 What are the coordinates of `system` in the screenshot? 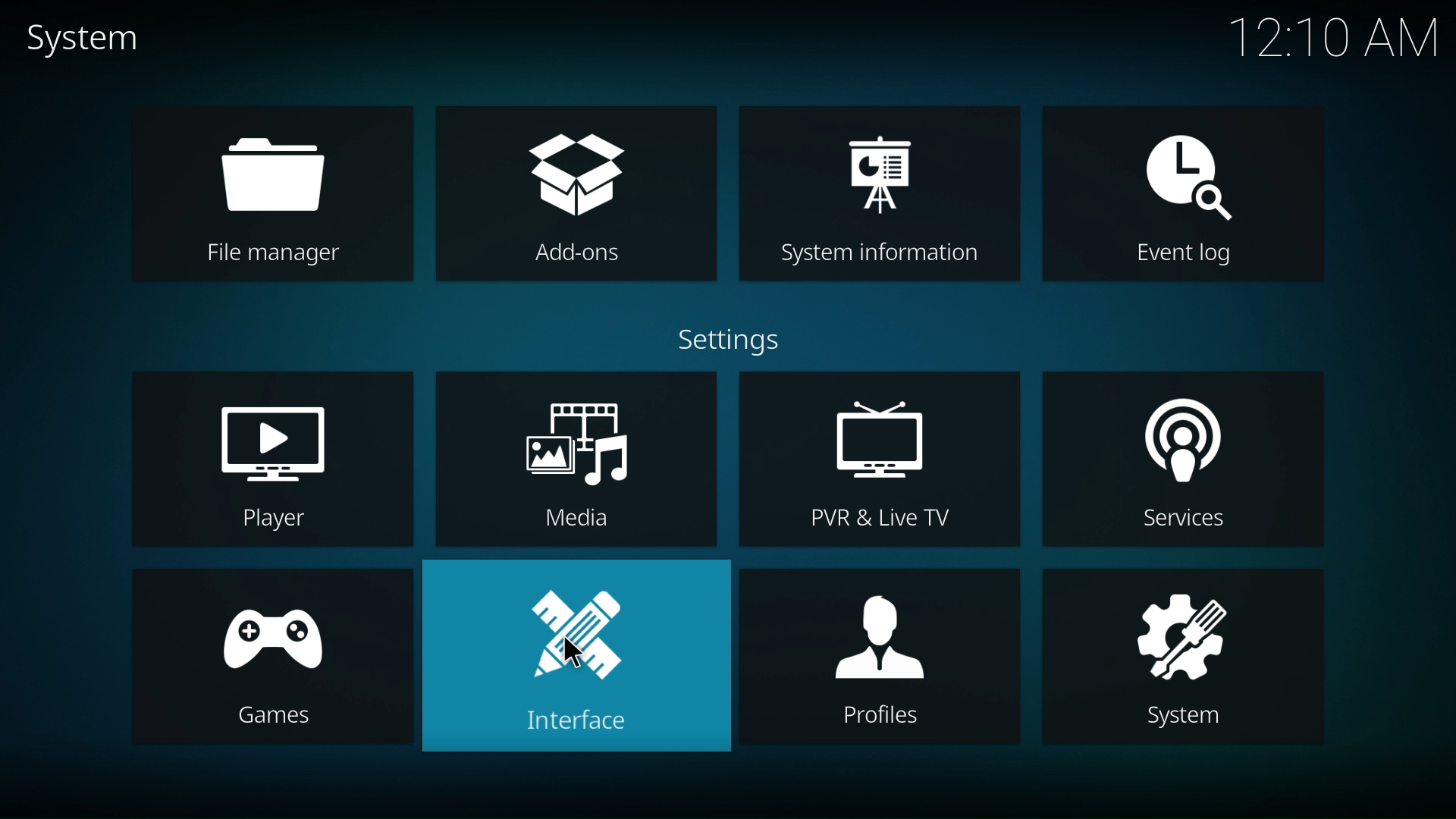 It's located at (1186, 661).